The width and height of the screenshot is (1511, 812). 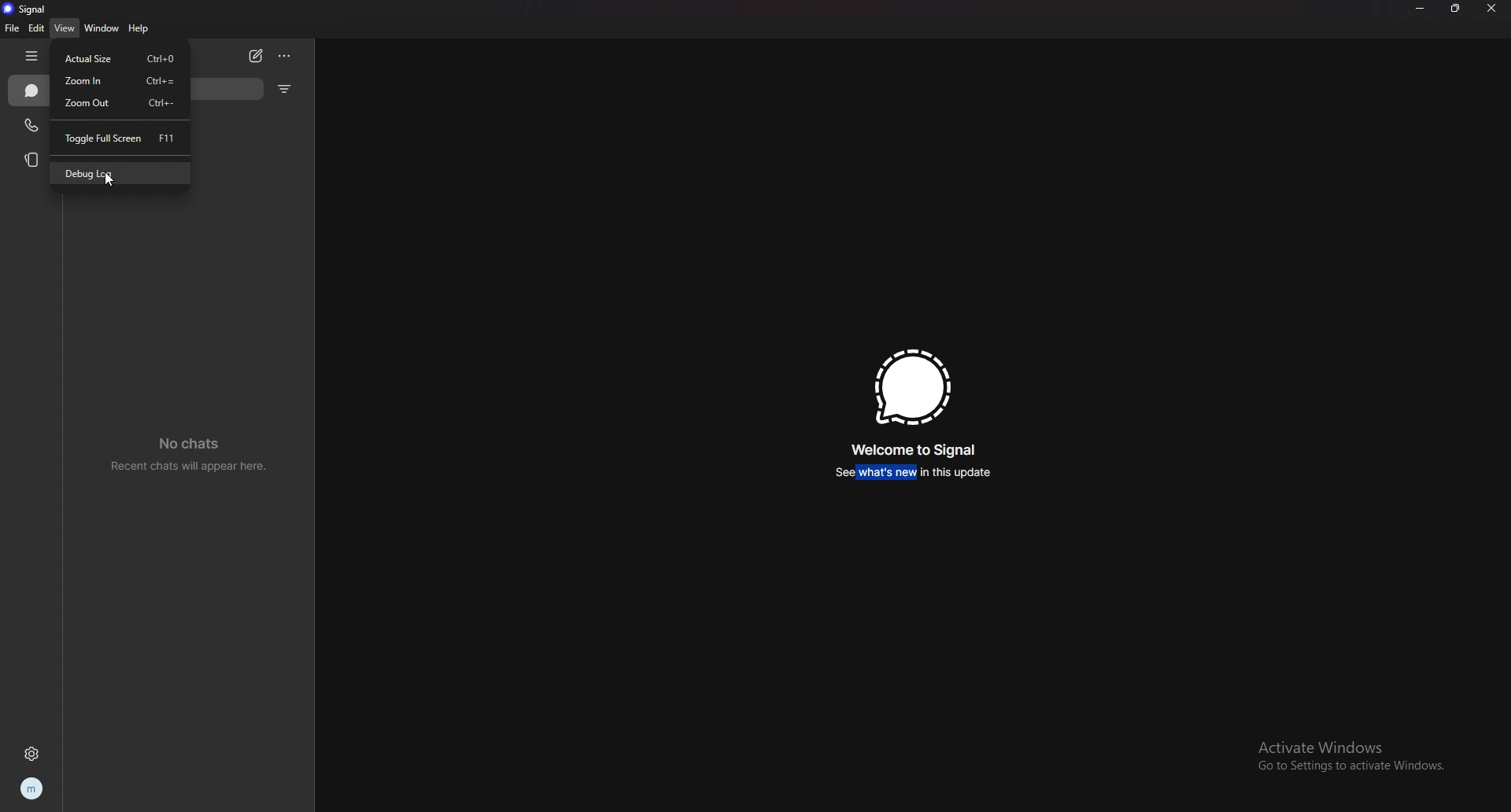 What do you see at coordinates (110, 182) in the screenshot?
I see `cursor` at bounding box center [110, 182].